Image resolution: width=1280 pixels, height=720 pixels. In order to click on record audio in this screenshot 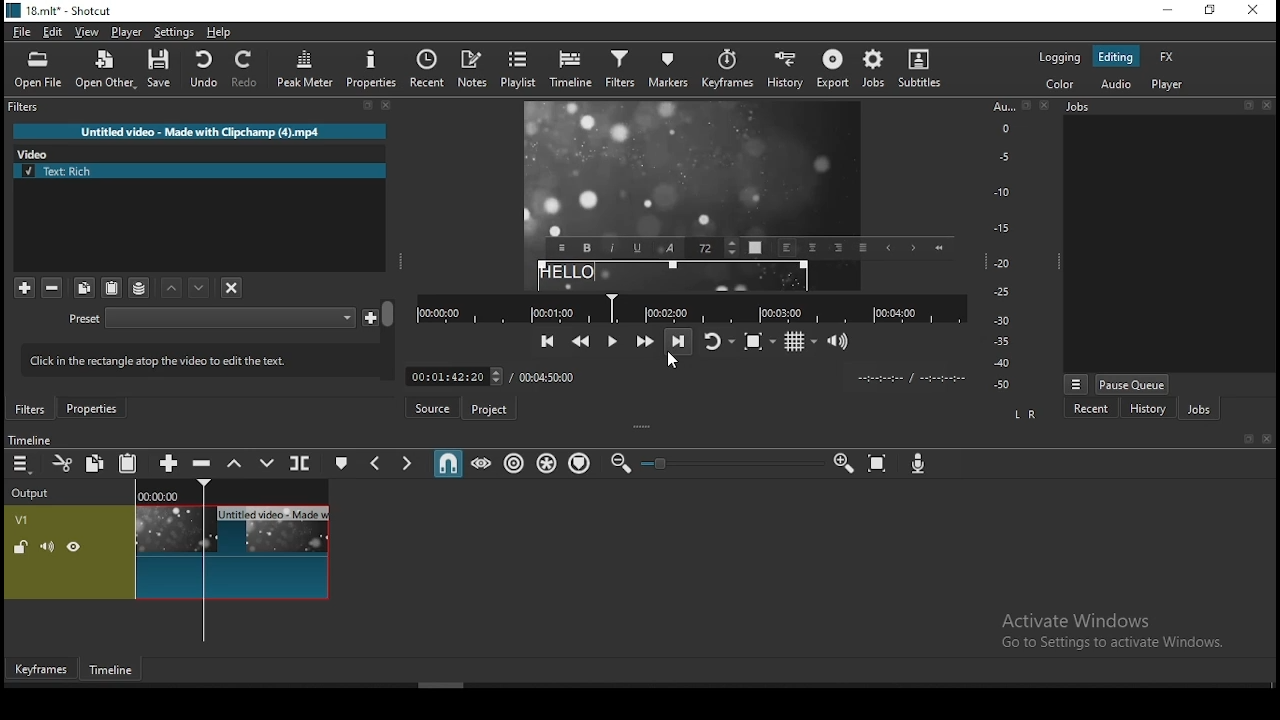, I will do `click(919, 464)`.